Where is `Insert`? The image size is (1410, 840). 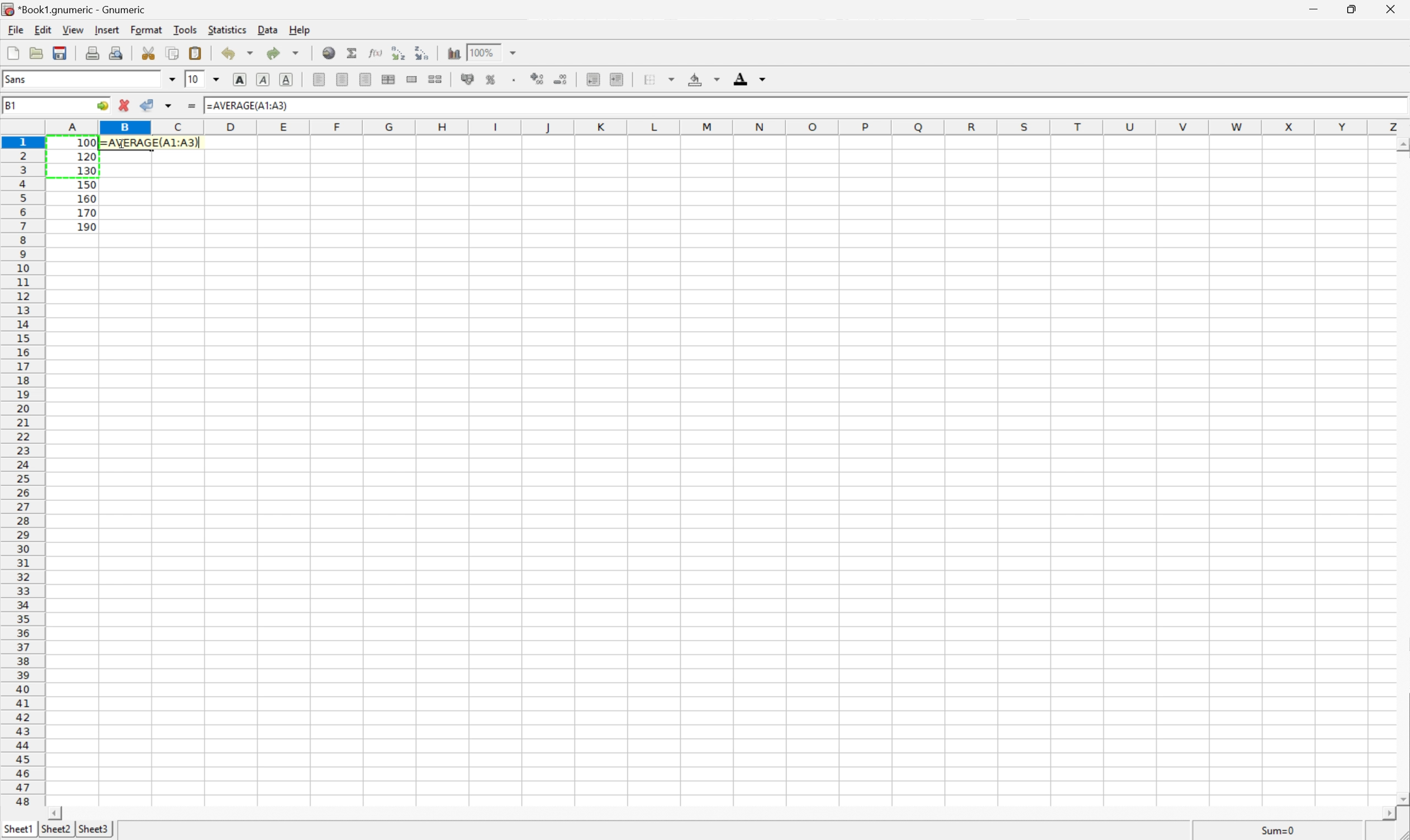
Insert is located at coordinates (108, 29).